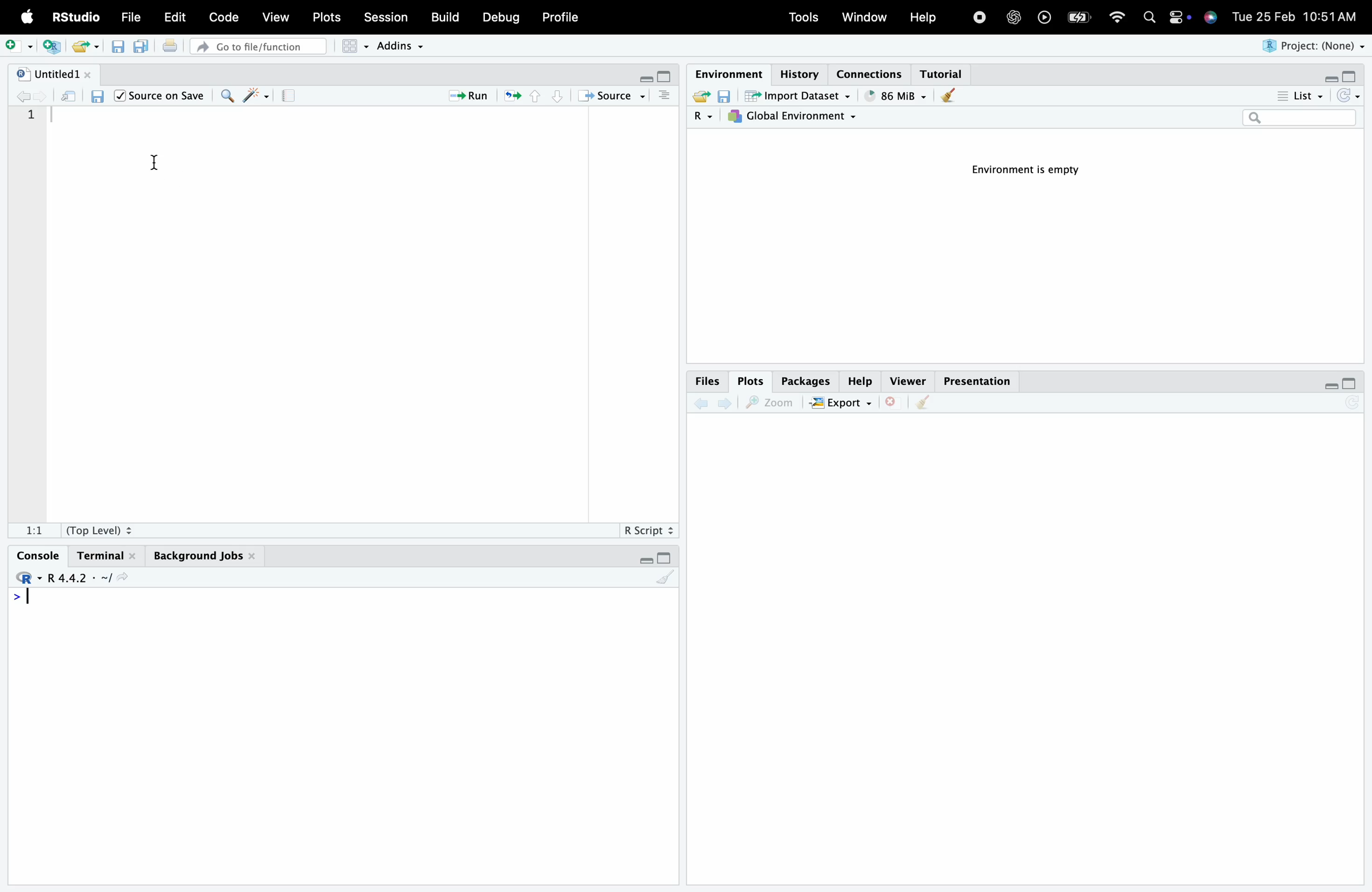 The width and height of the screenshot is (1372, 892). What do you see at coordinates (1178, 19) in the screenshot?
I see `settings` at bounding box center [1178, 19].